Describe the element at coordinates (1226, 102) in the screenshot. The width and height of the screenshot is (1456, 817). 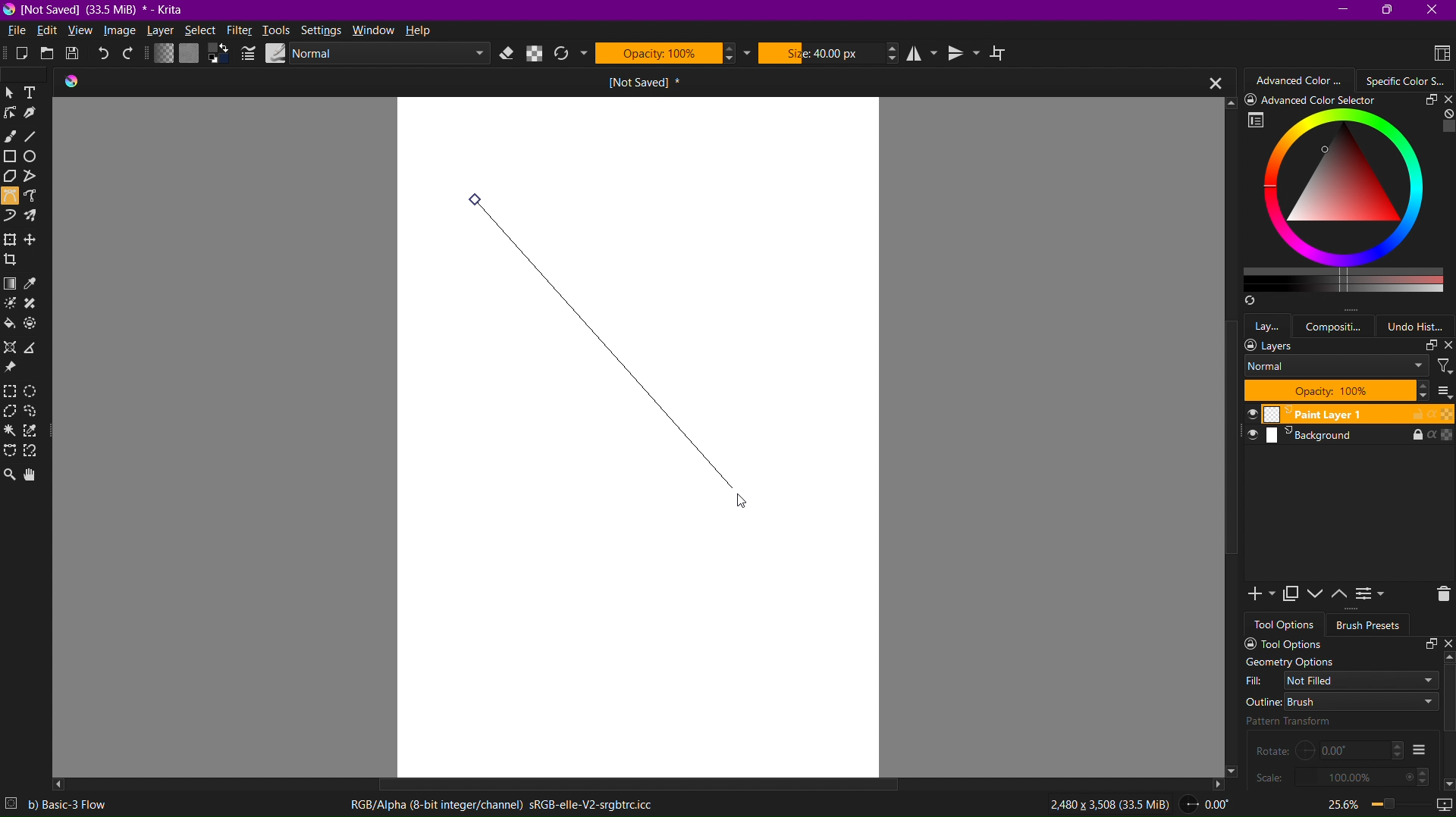
I see `Up` at that location.